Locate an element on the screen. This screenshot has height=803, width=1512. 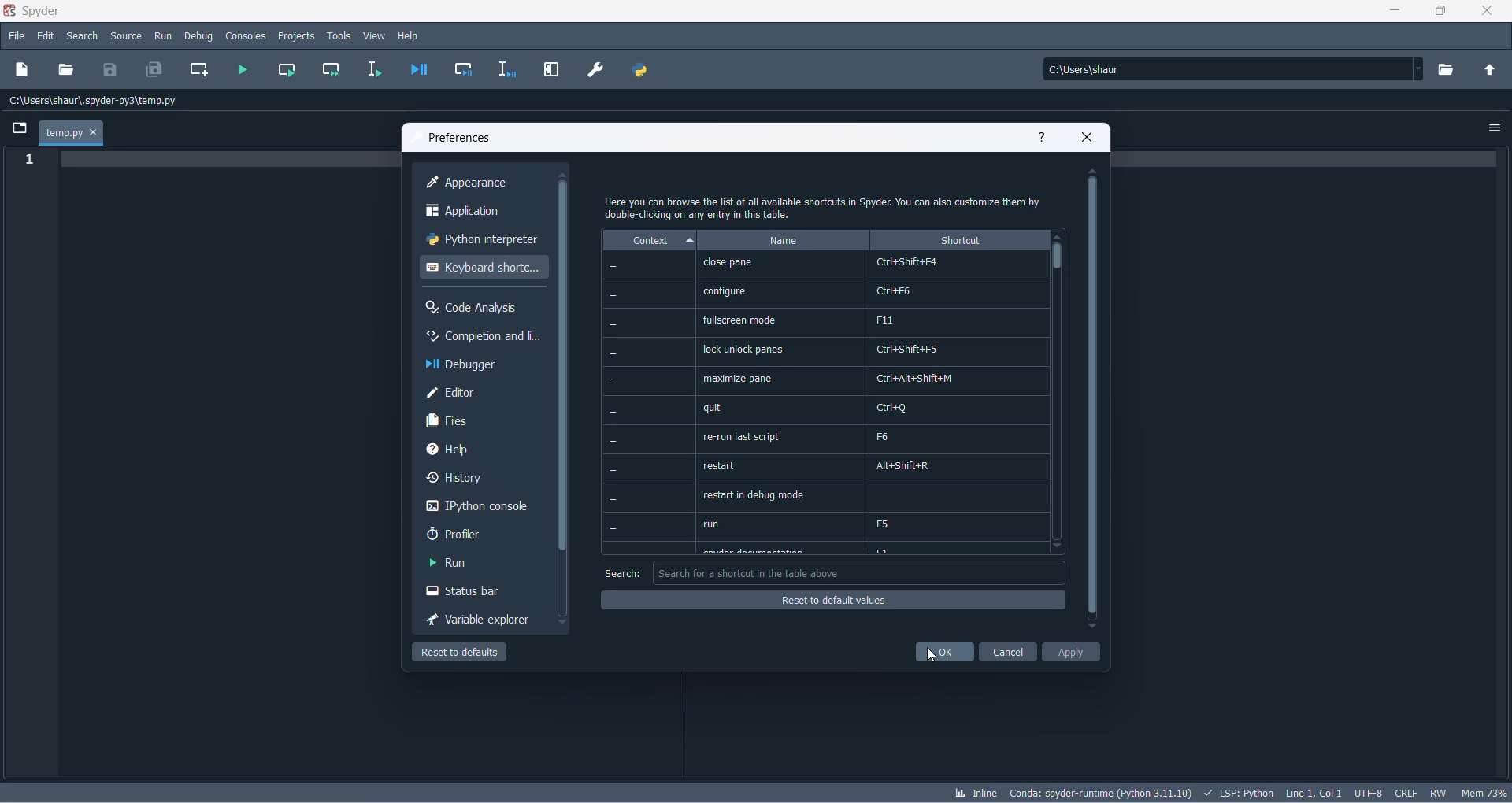
memory usage is located at coordinates (1484, 791).